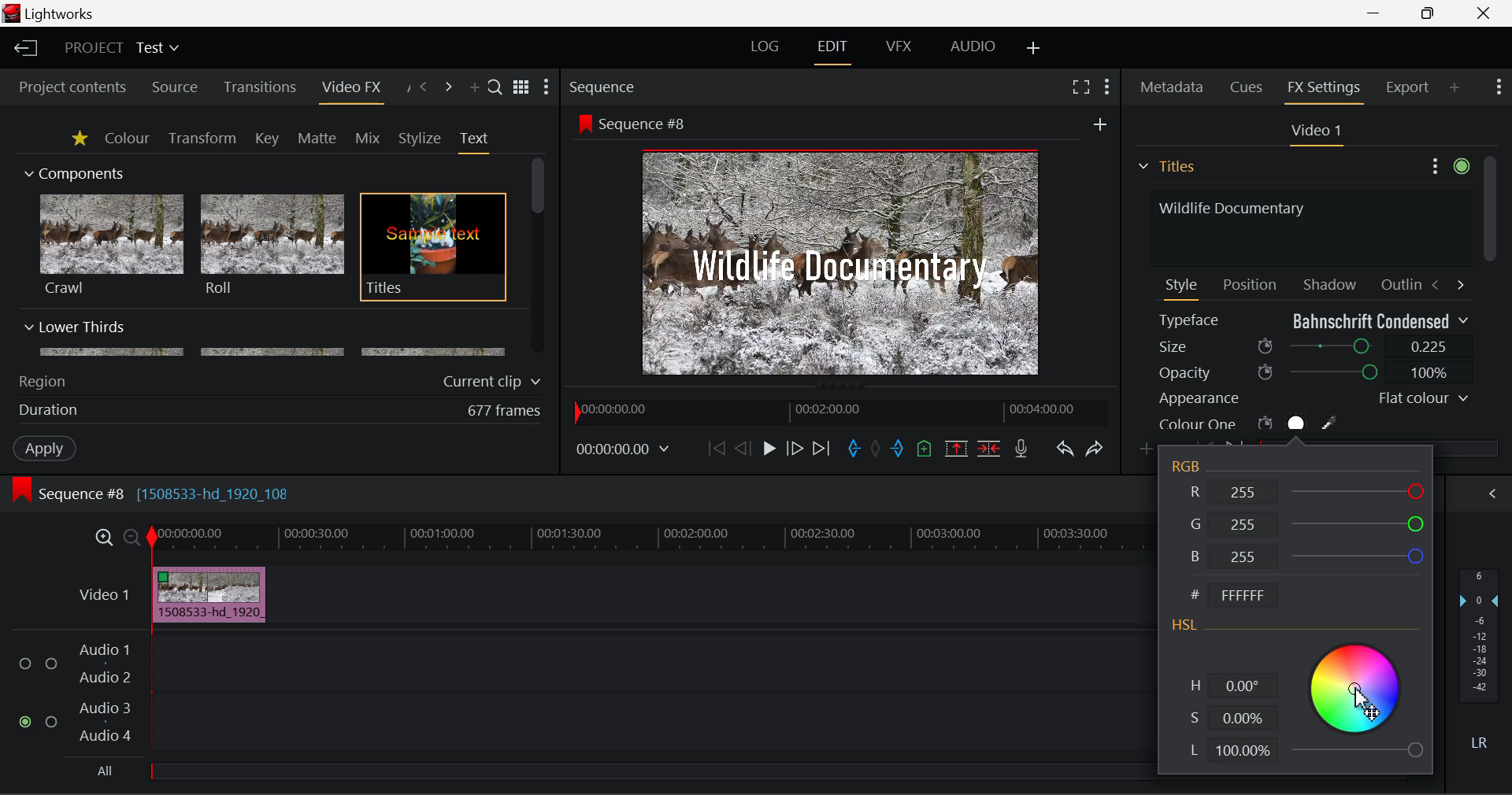 The width and height of the screenshot is (1512, 795). I want to click on Record Voiceover, so click(1021, 452).